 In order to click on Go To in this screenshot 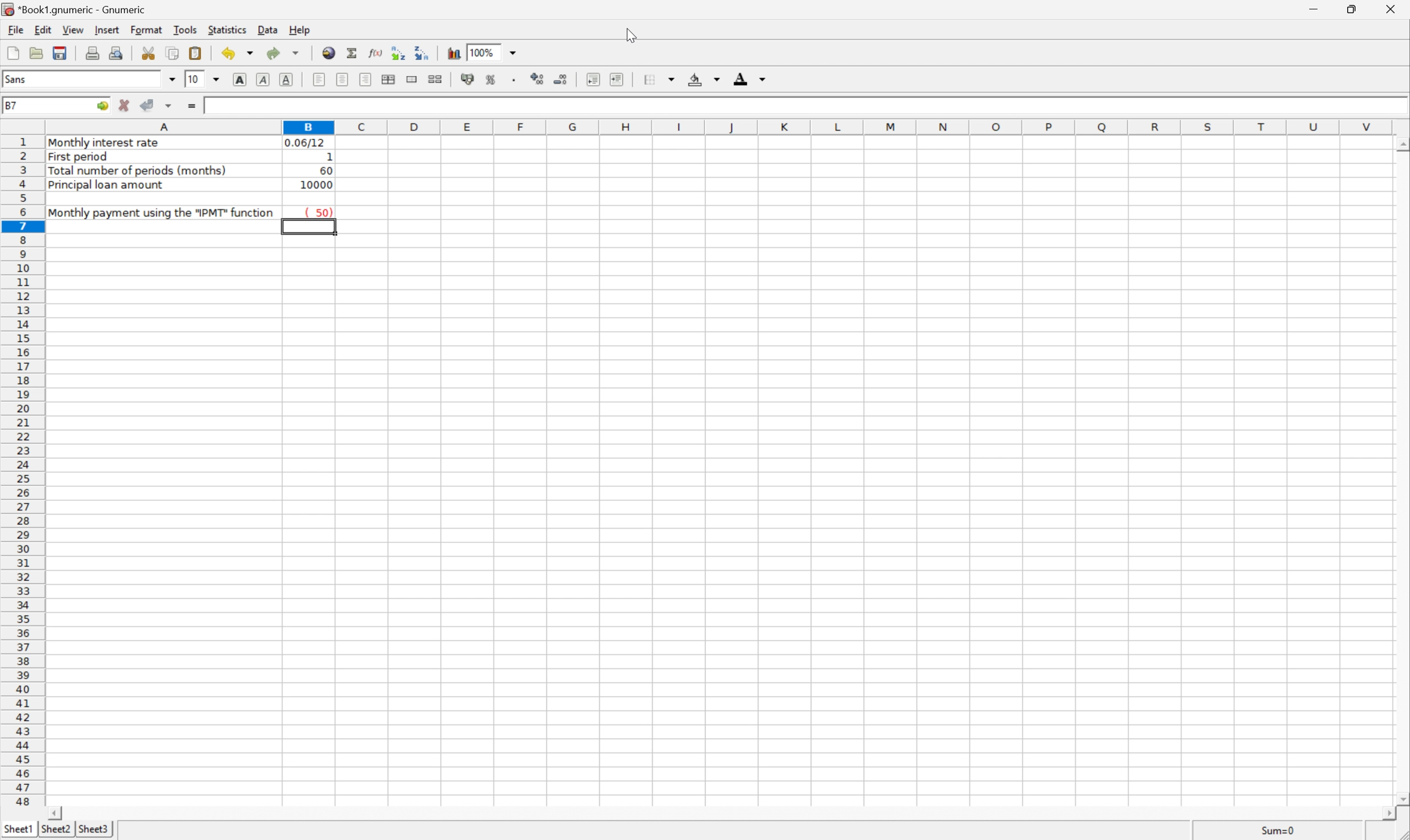, I will do `click(101, 107)`.